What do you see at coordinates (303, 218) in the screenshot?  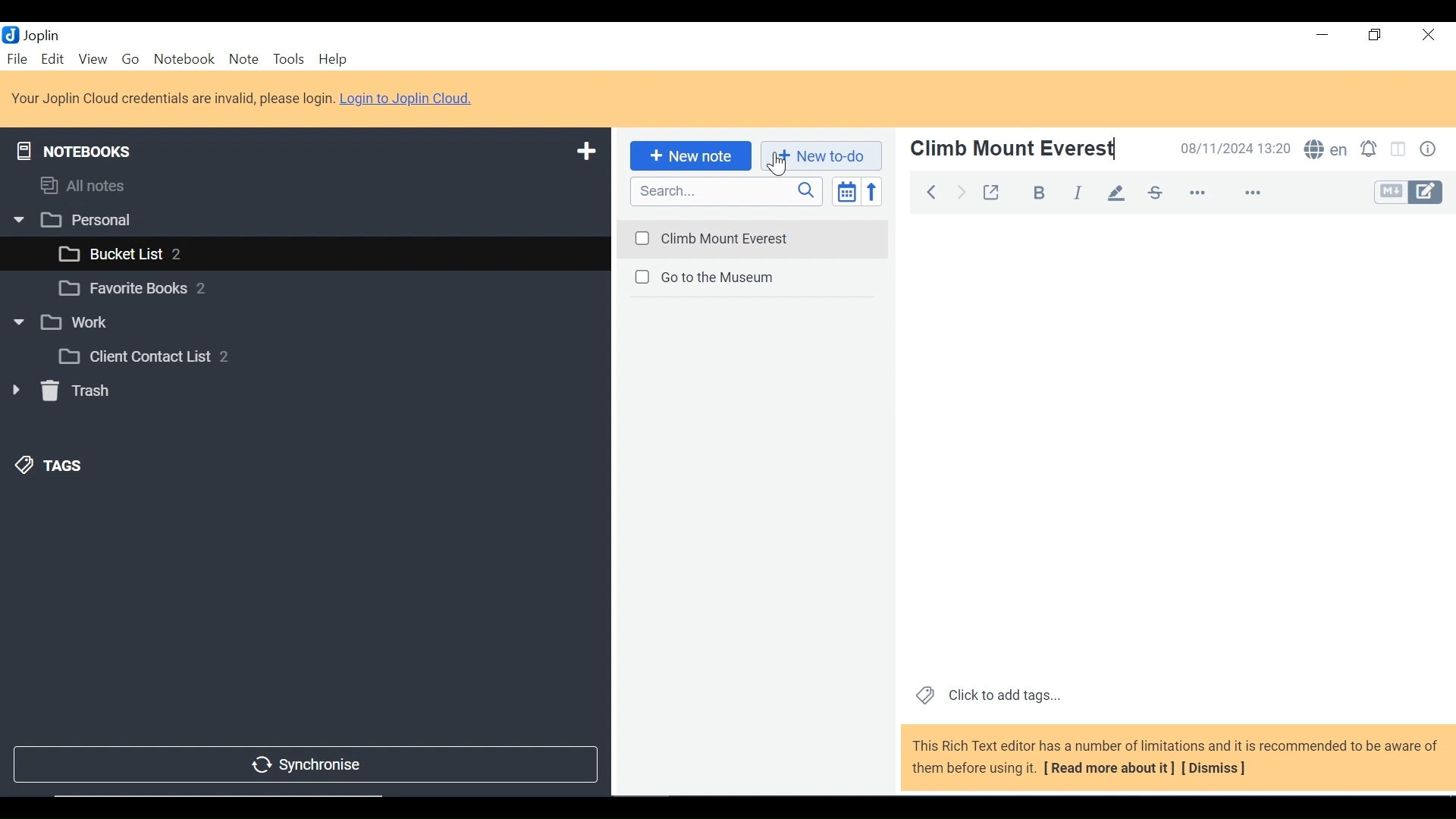 I see `Notebook` at bounding box center [303, 218].